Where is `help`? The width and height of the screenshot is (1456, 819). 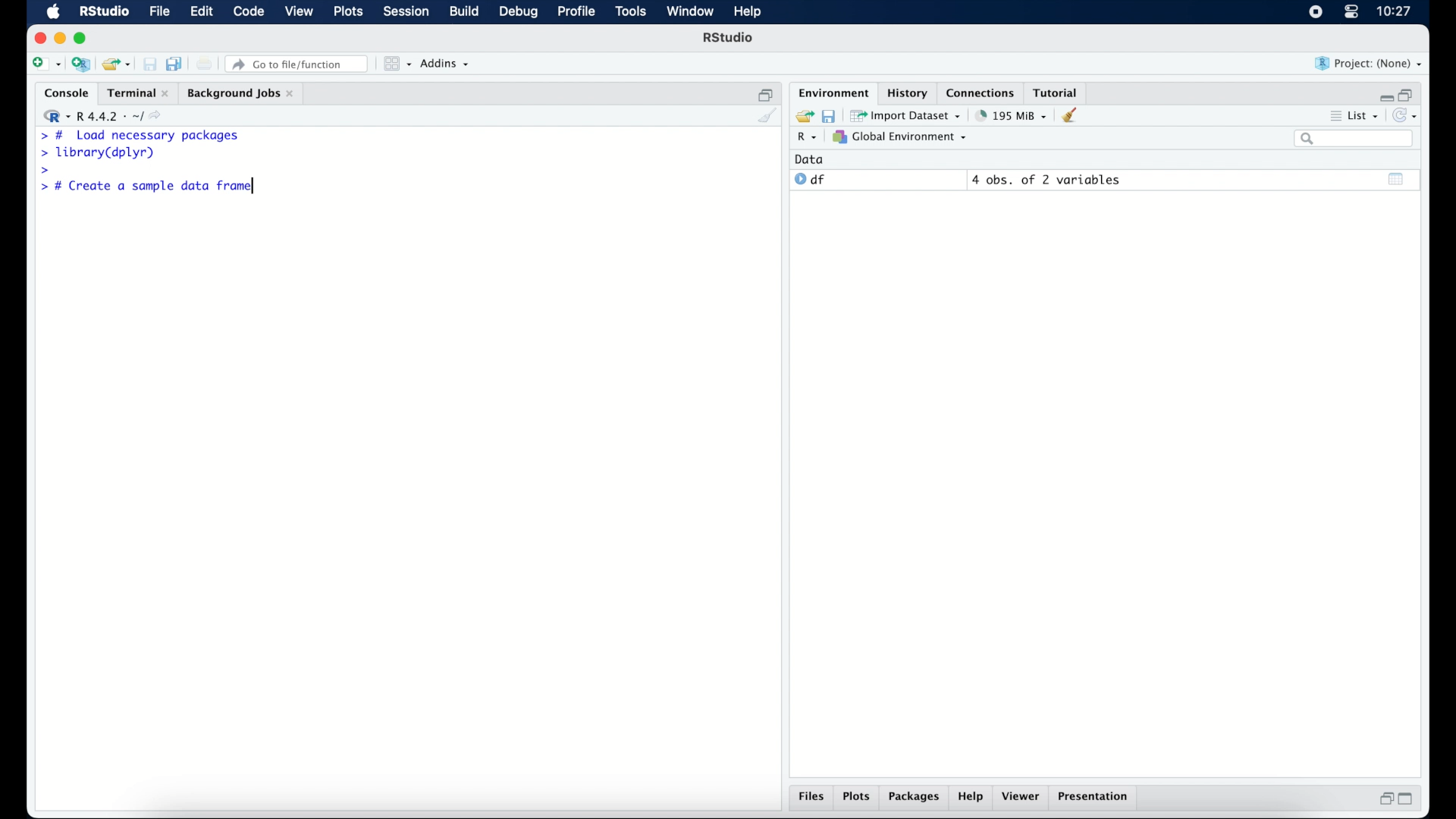
help is located at coordinates (971, 799).